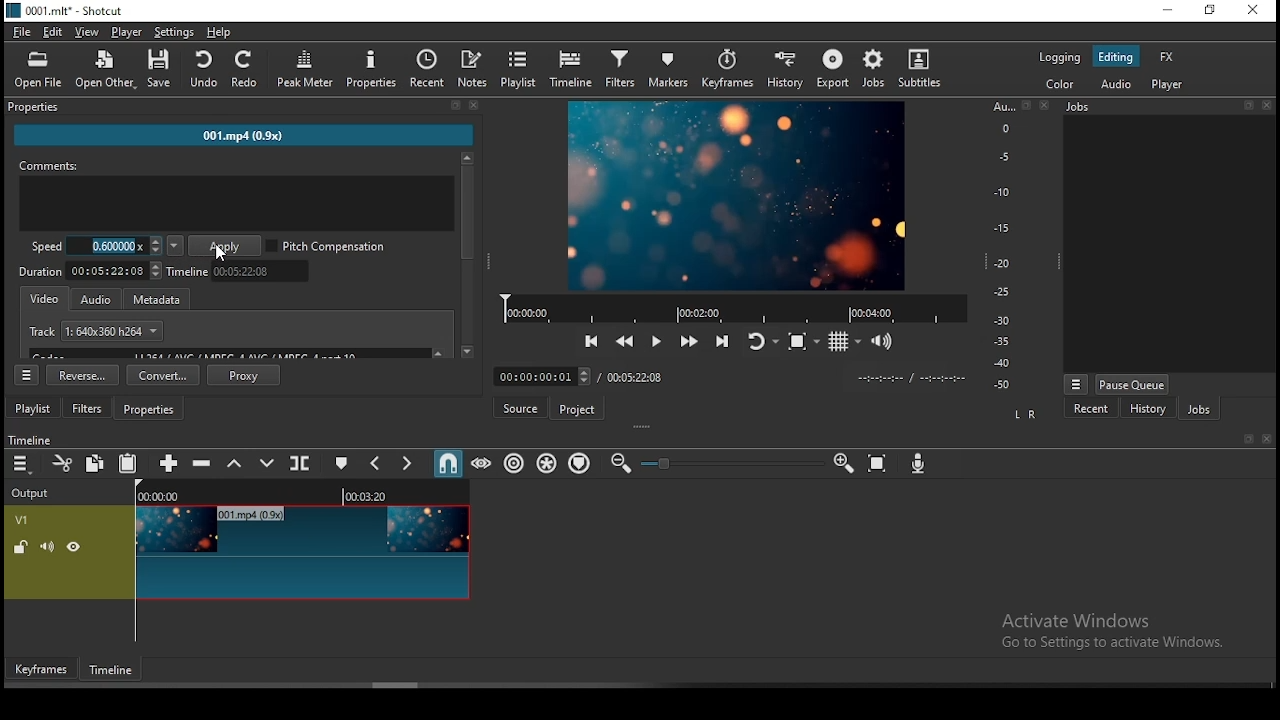 This screenshot has width=1280, height=720. What do you see at coordinates (395, 685) in the screenshot?
I see `scroll bar` at bounding box center [395, 685].